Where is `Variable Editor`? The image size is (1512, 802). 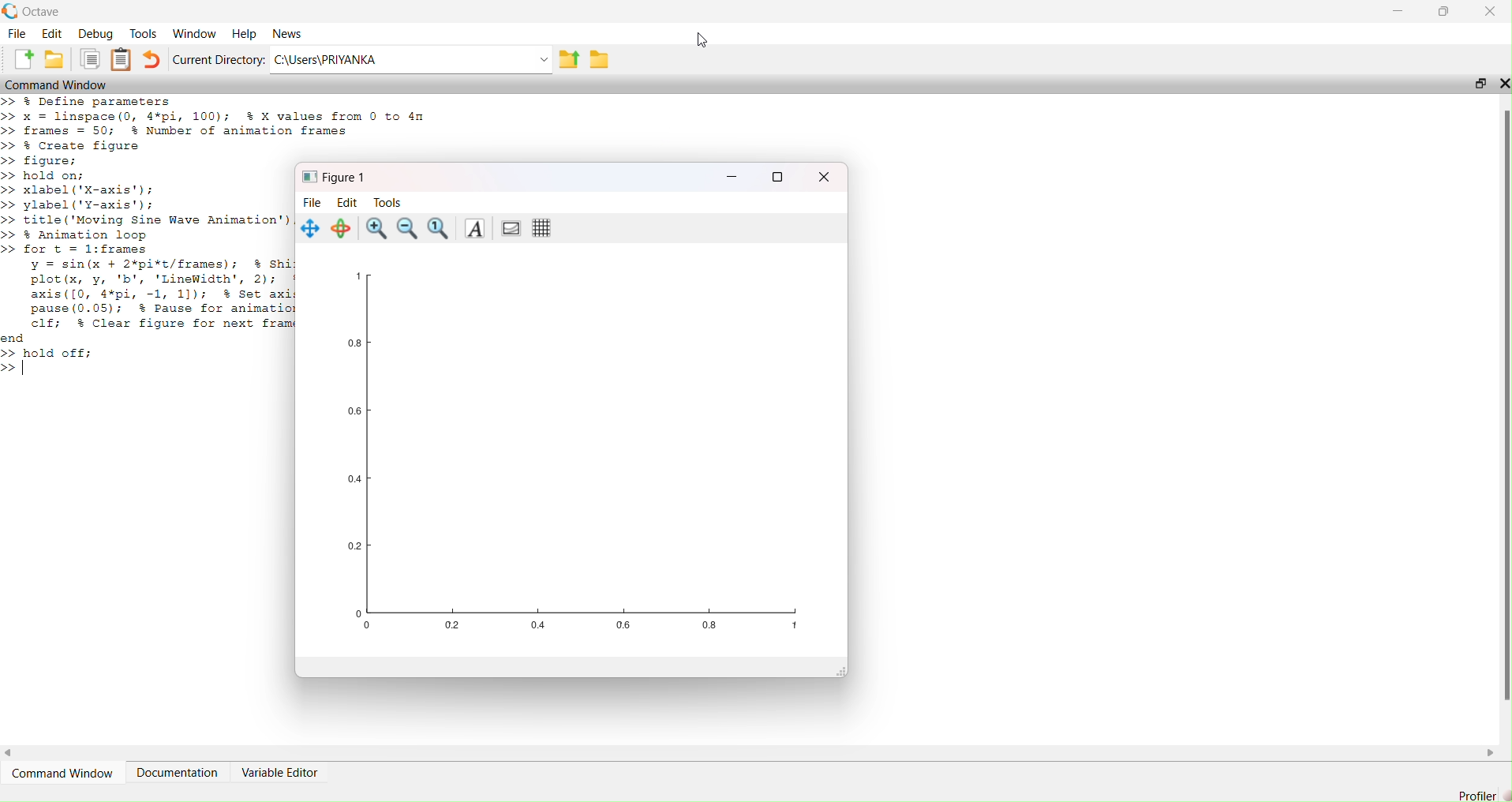
Variable Editor is located at coordinates (287, 767).